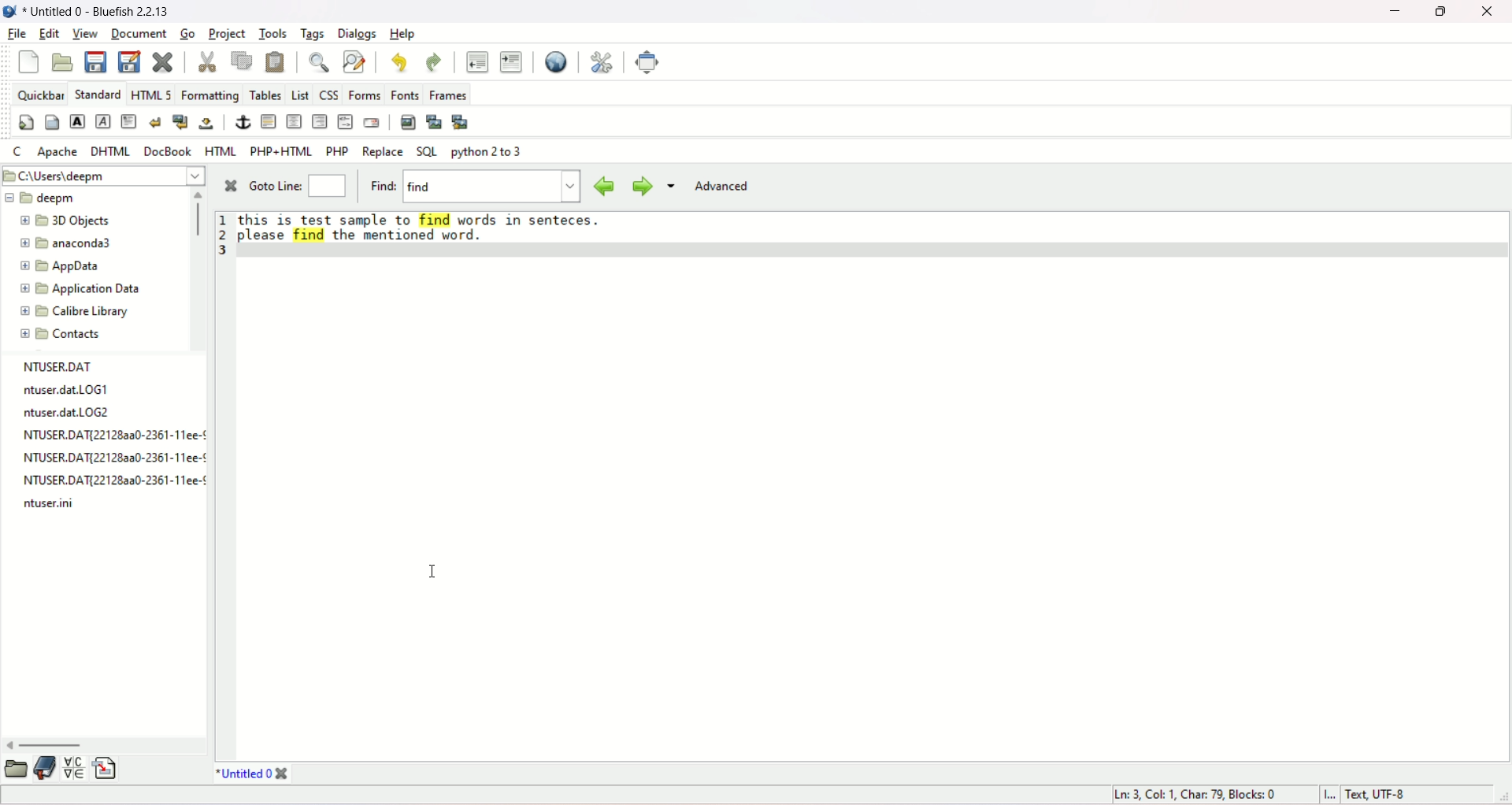 The height and width of the screenshot is (805, 1512). Describe the element at coordinates (243, 773) in the screenshot. I see `title` at that location.